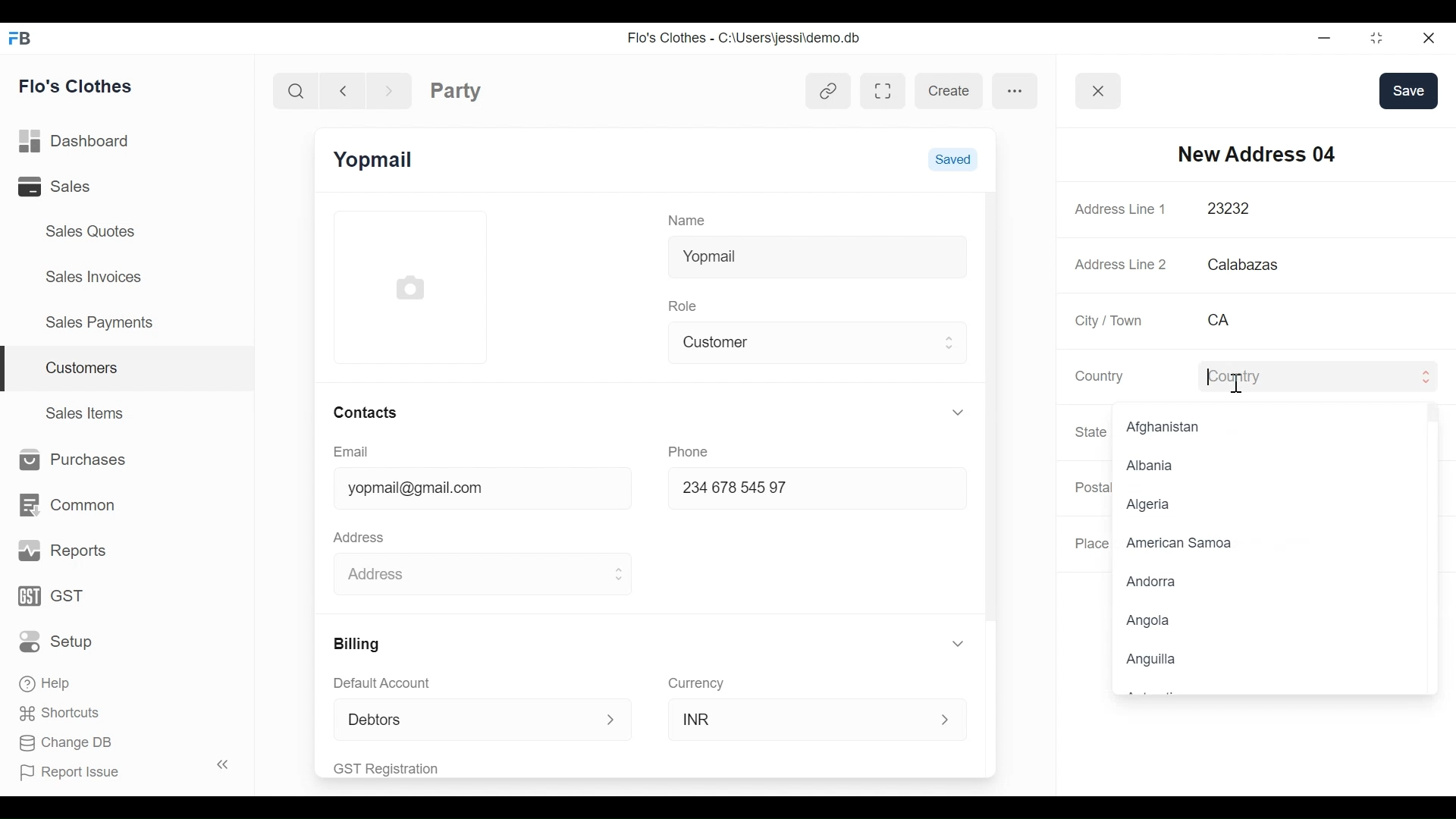 This screenshot has height=819, width=1456. I want to click on Andorra, so click(1156, 580).